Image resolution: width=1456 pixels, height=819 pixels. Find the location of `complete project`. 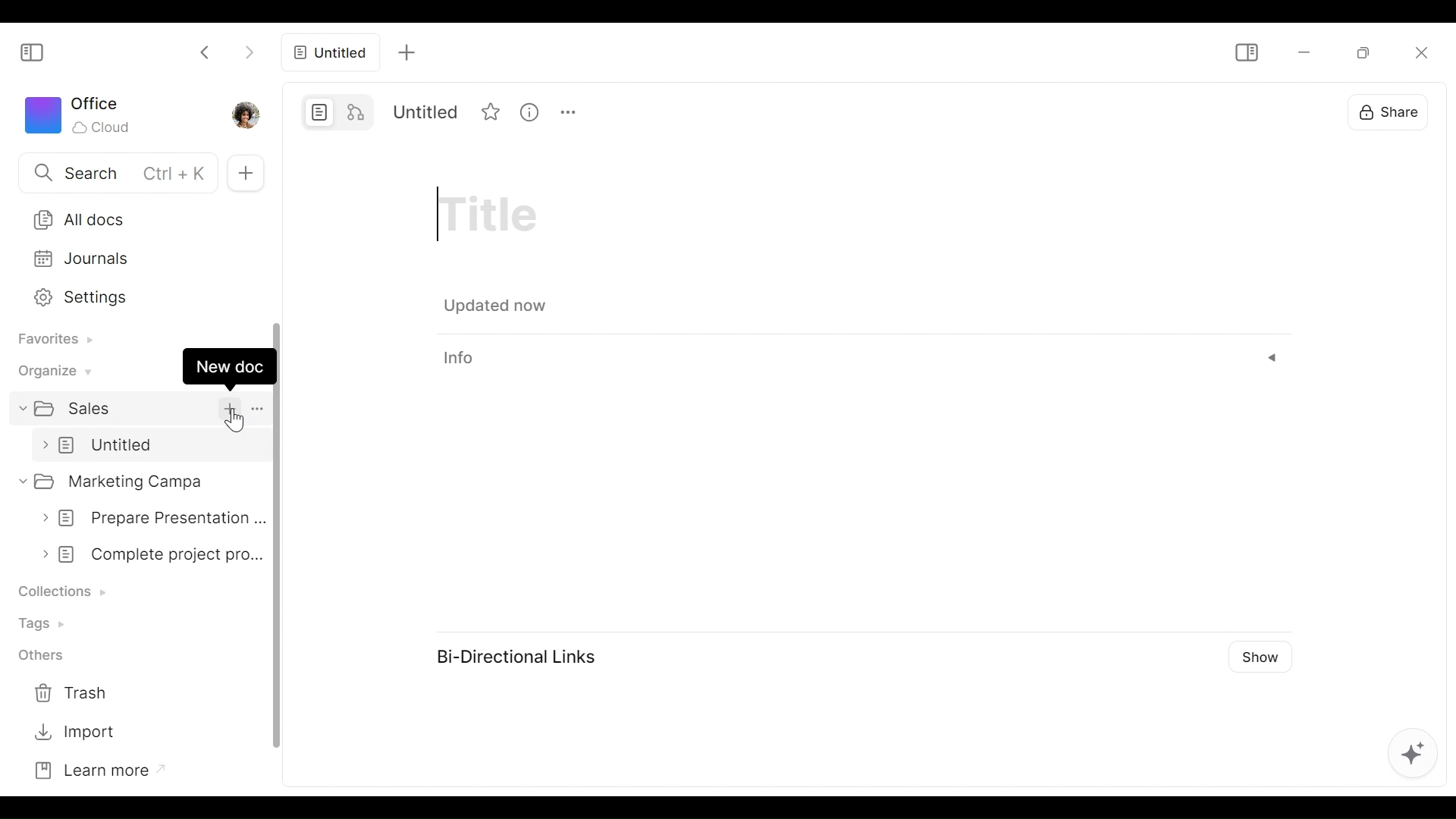

complete project is located at coordinates (146, 552).